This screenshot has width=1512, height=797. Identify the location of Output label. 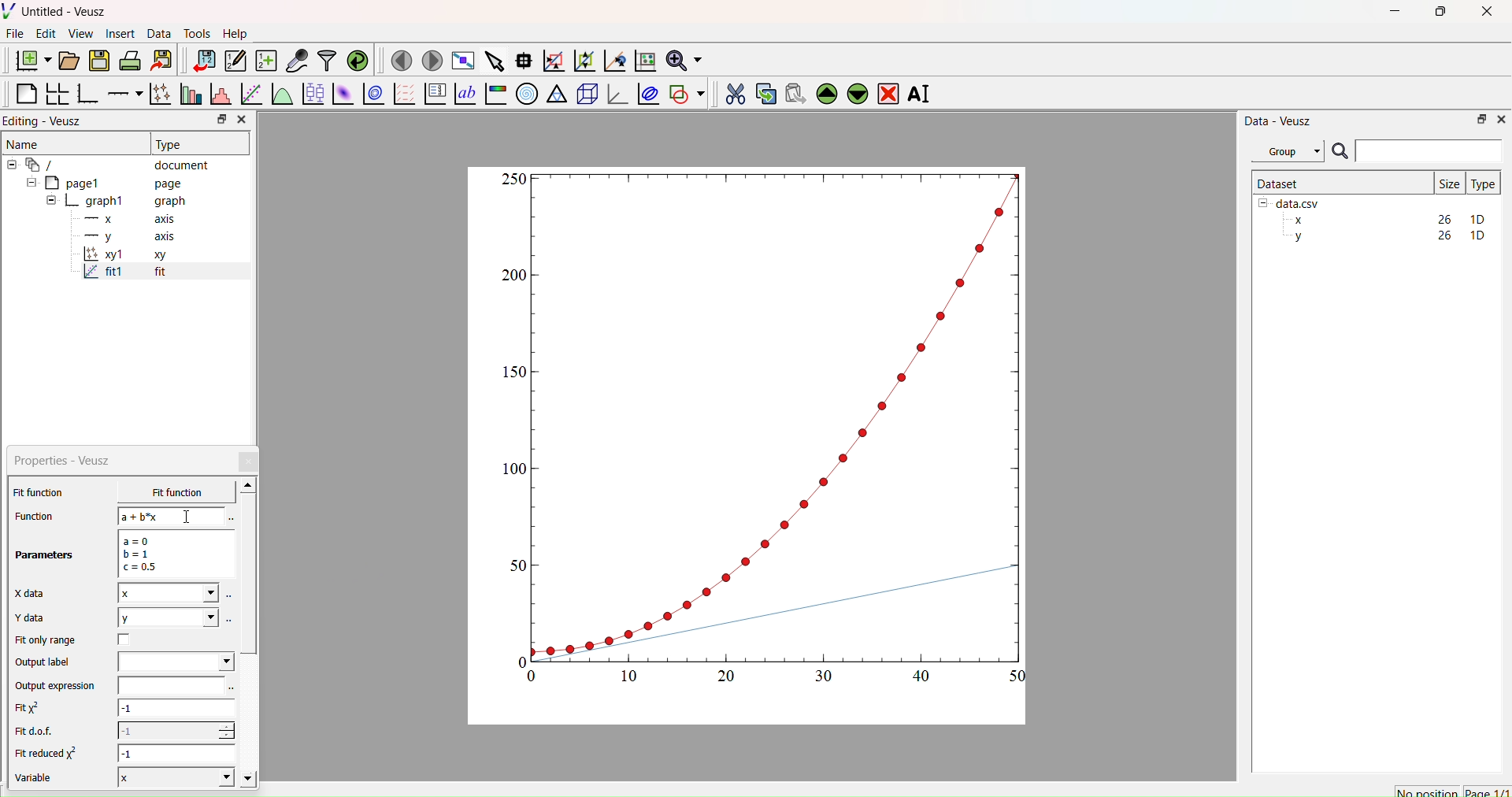
(46, 662).